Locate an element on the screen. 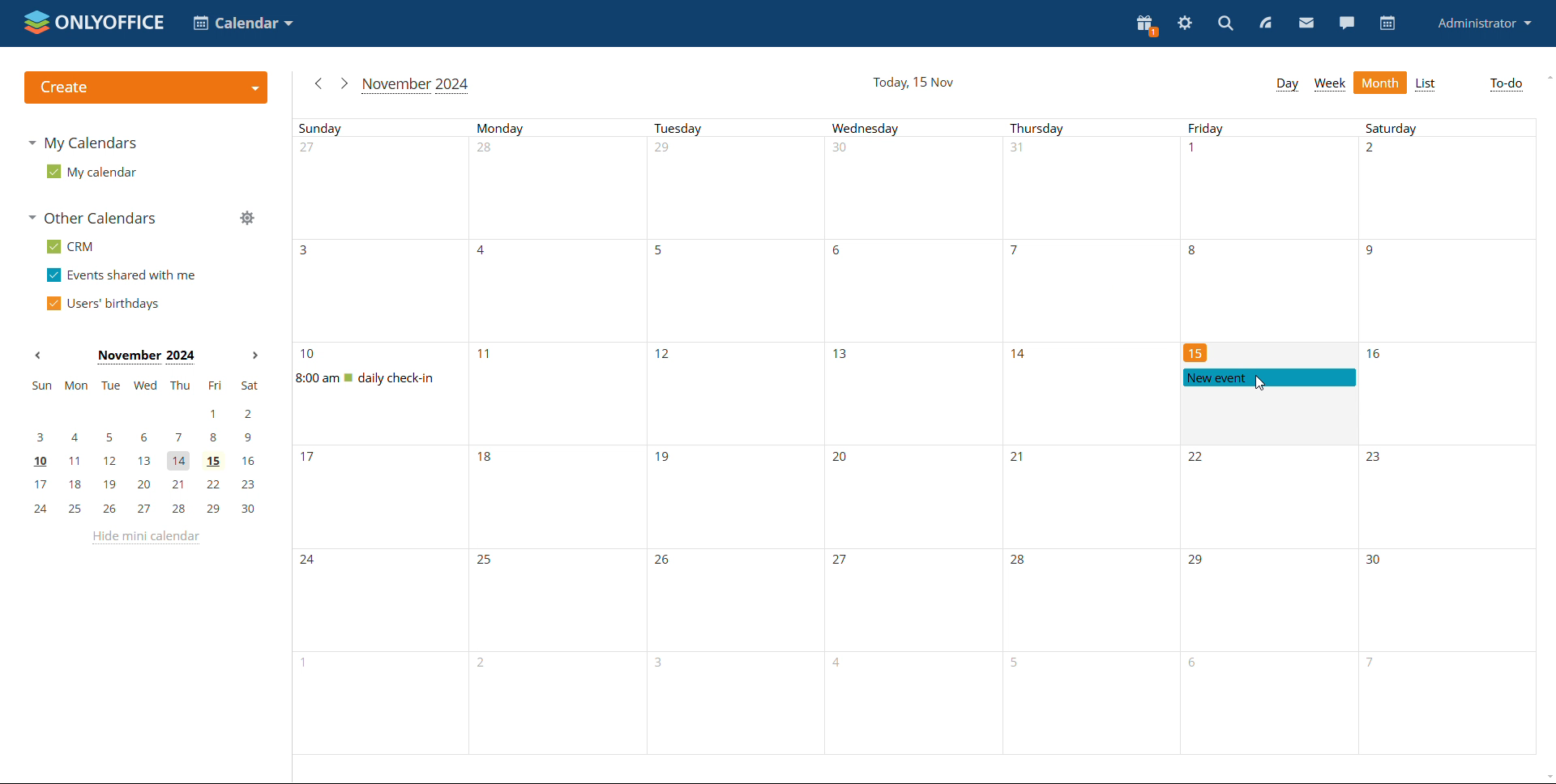  Number is located at coordinates (308, 460).